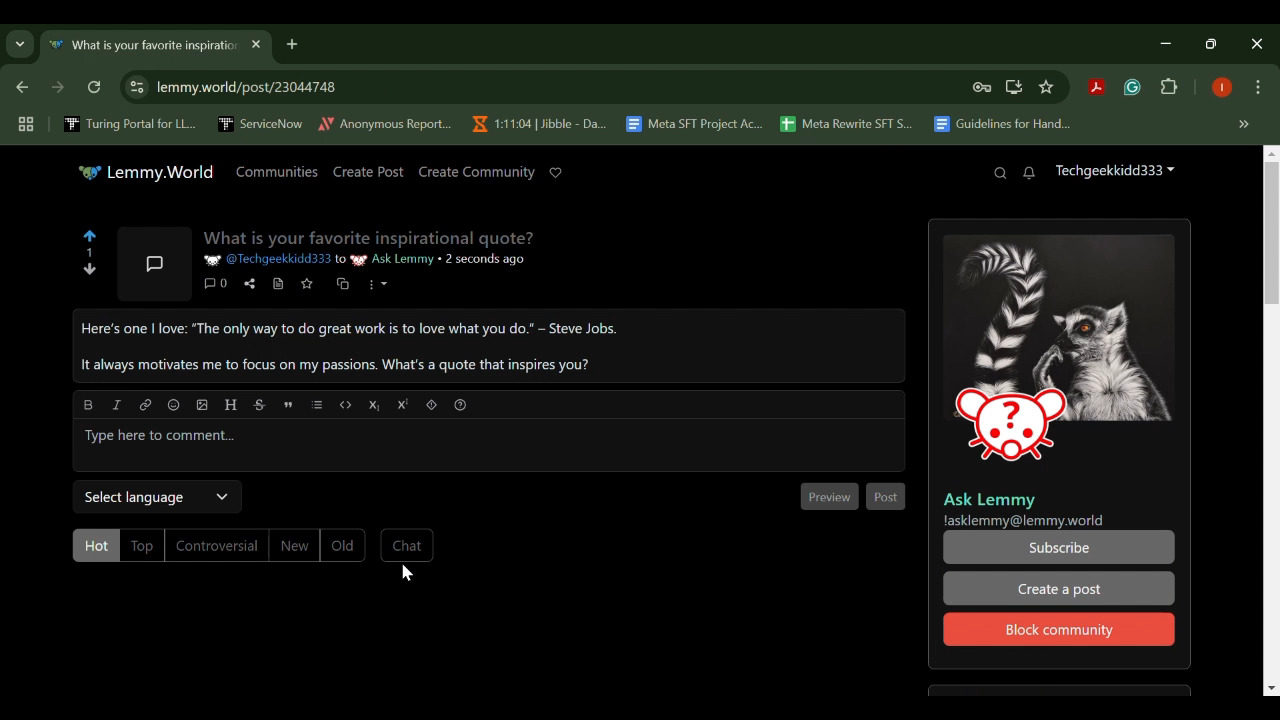  Describe the element at coordinates (1059, 547) in the screenshot. I see `Subscribe` at that location.